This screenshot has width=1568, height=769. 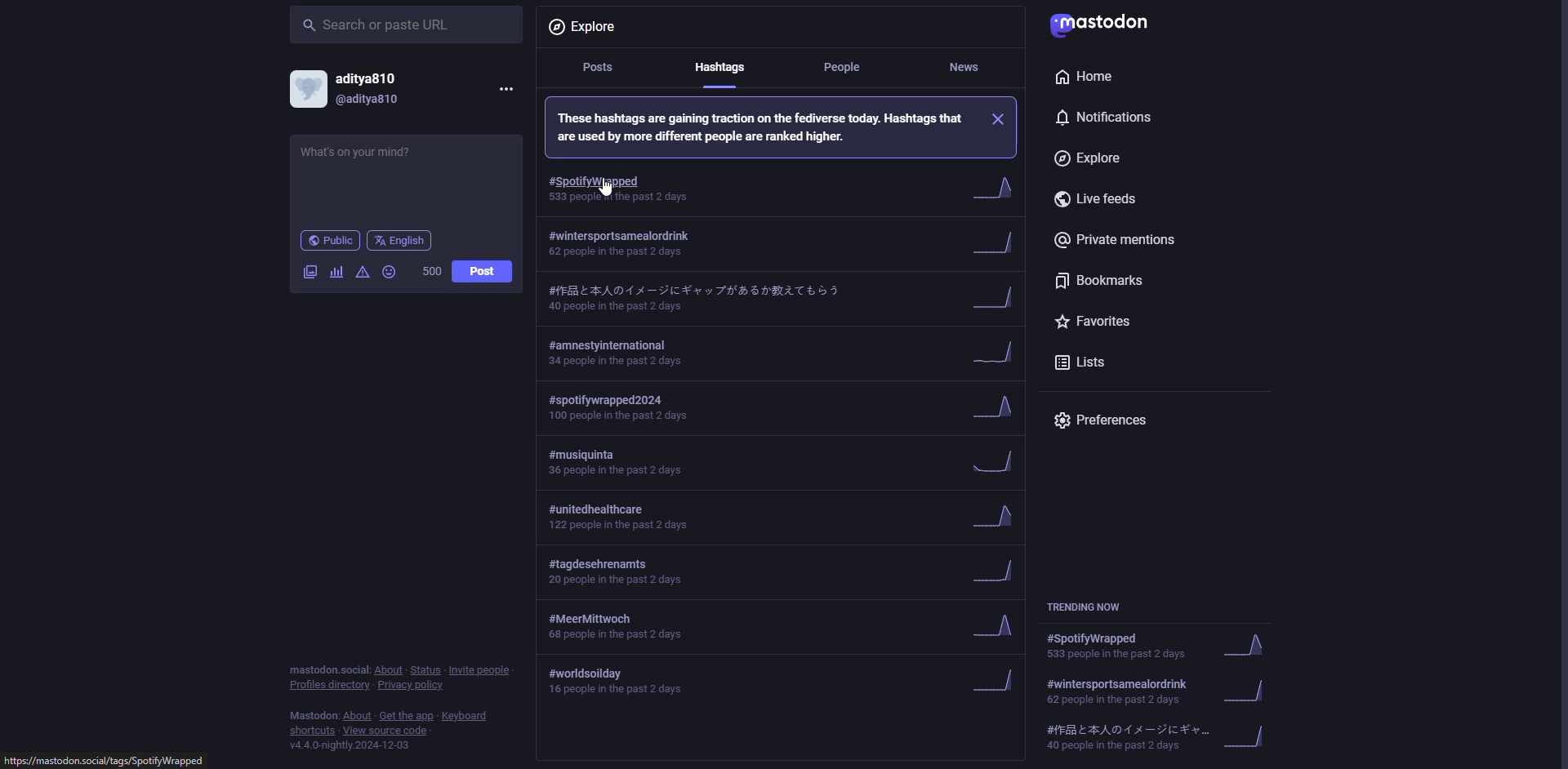 What do you see at coordinates (359, 89) in the screenshot?
I see `account` at bounding box center [359, 89].